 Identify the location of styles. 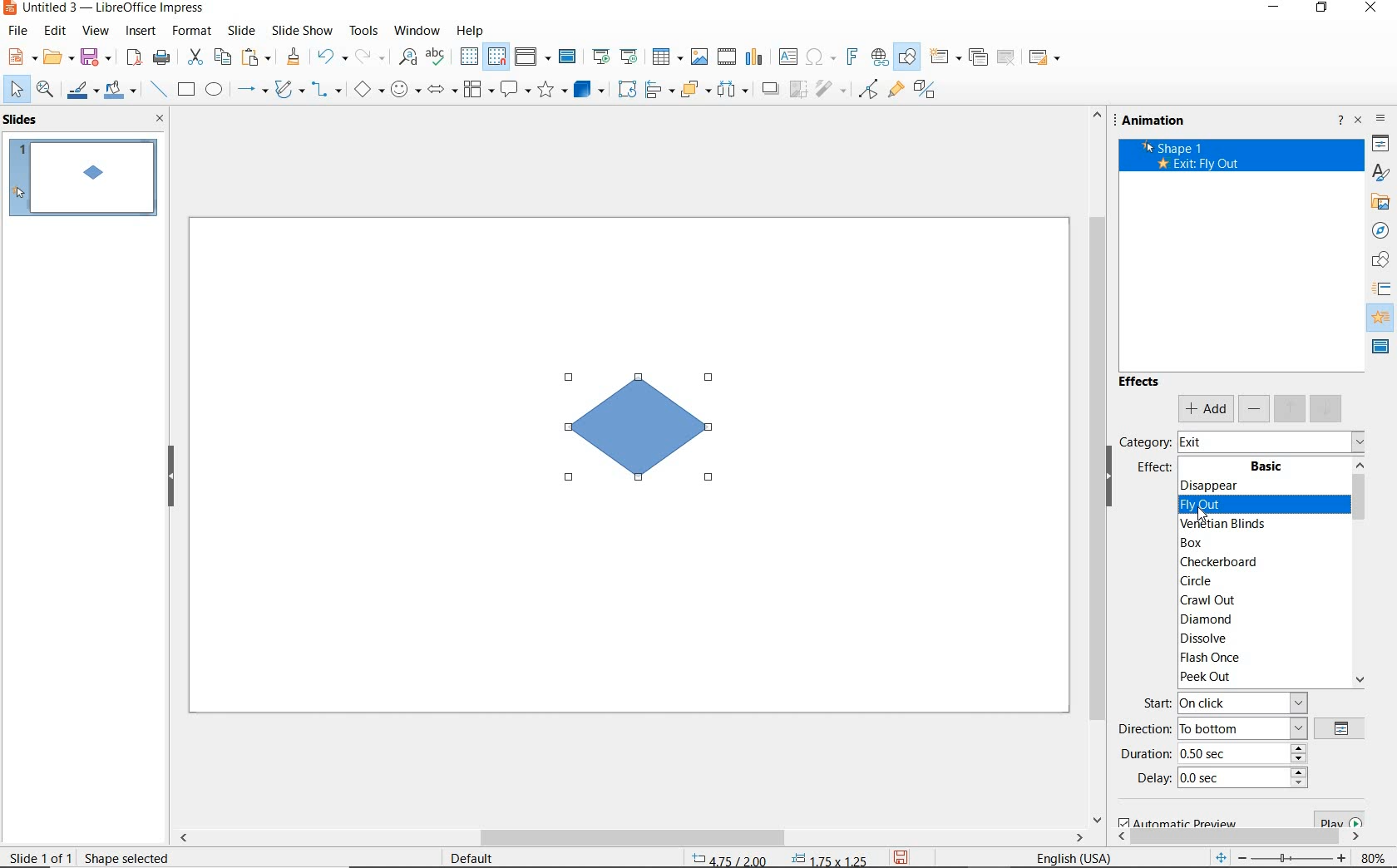
(1381, 173).